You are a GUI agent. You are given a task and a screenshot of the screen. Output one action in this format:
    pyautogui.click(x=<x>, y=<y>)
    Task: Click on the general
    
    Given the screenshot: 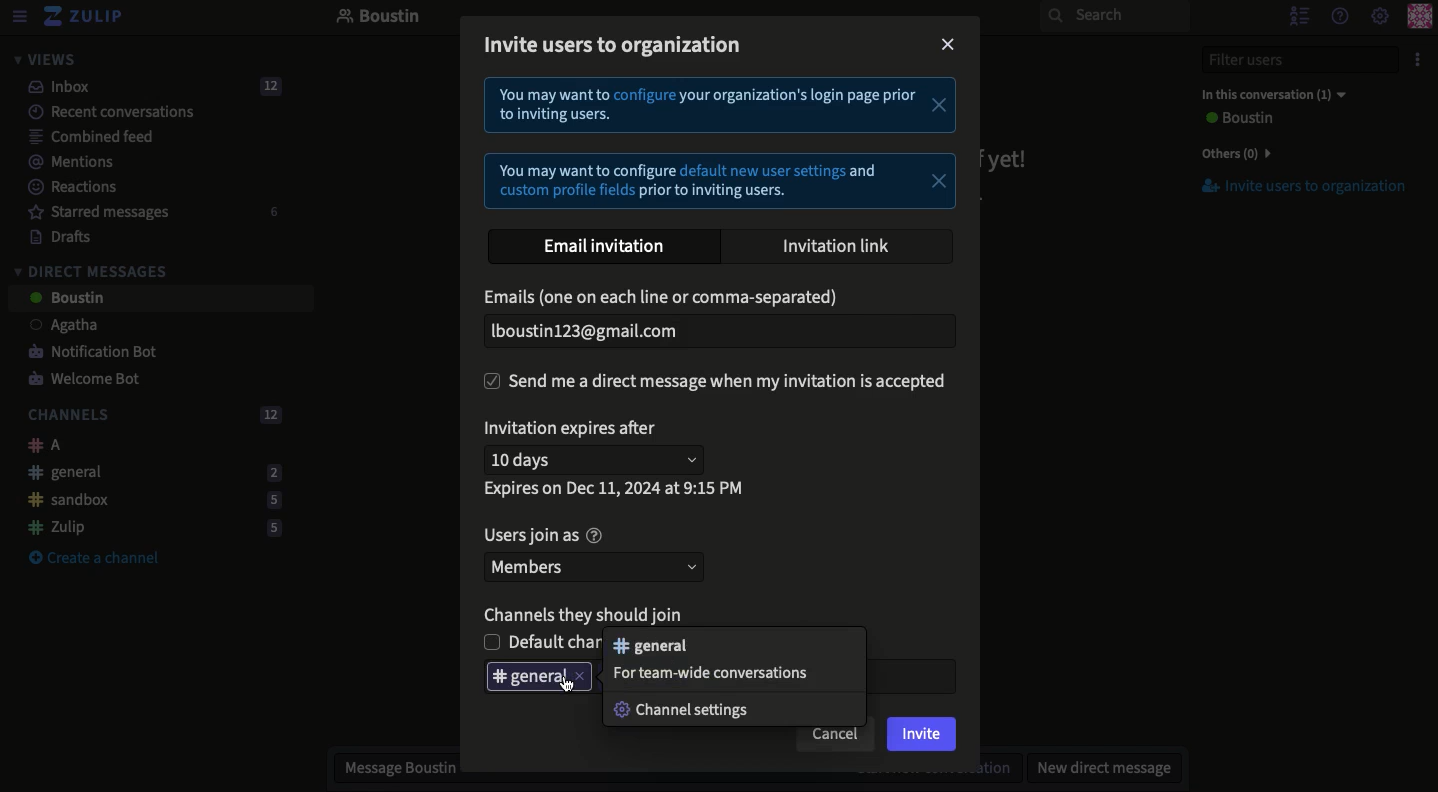 What is the action you would take?
    pyautogui.click(x=653, y=647)
    